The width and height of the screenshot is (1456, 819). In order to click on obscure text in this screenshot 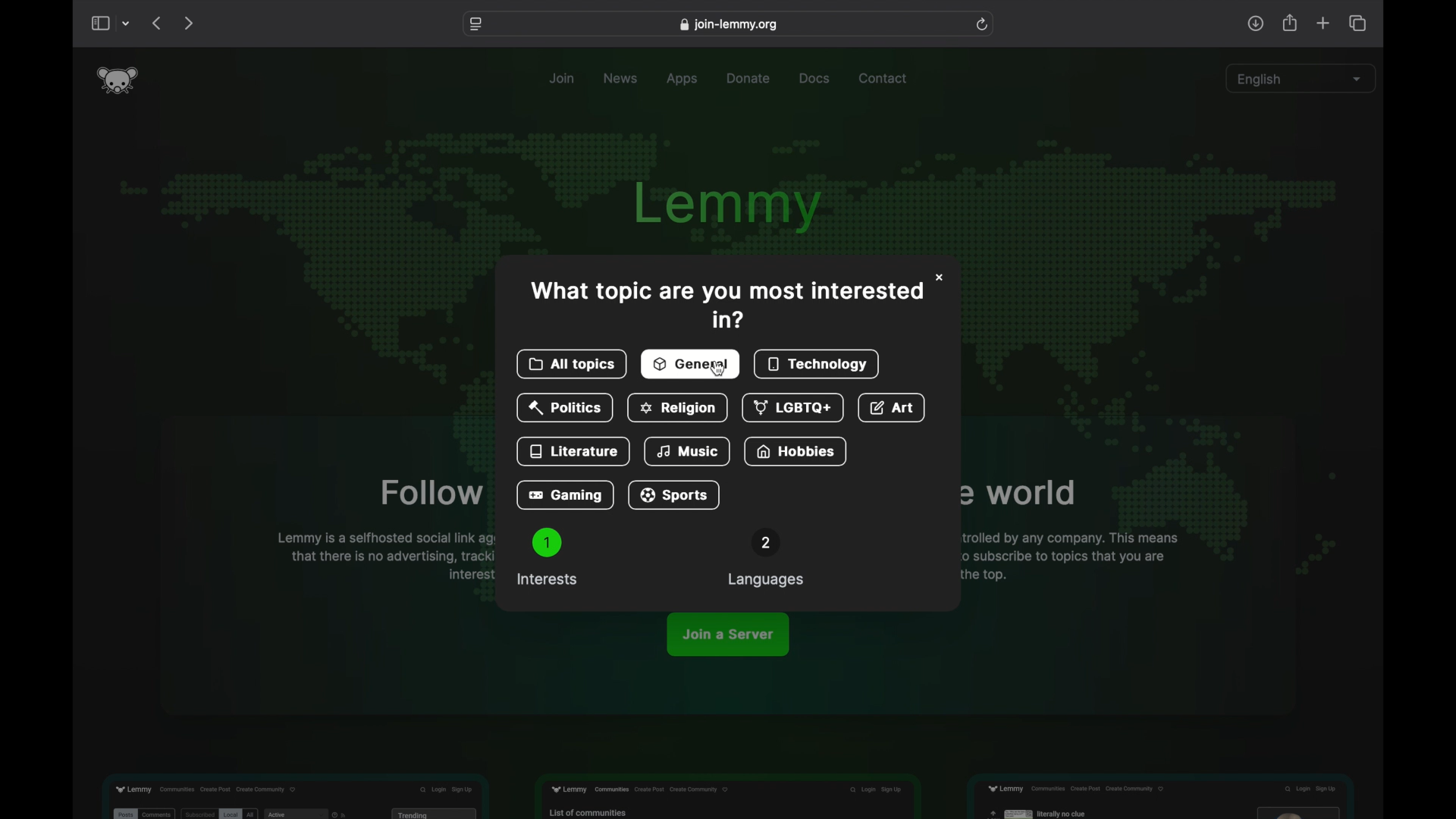, I will do `click(431, 494)`.